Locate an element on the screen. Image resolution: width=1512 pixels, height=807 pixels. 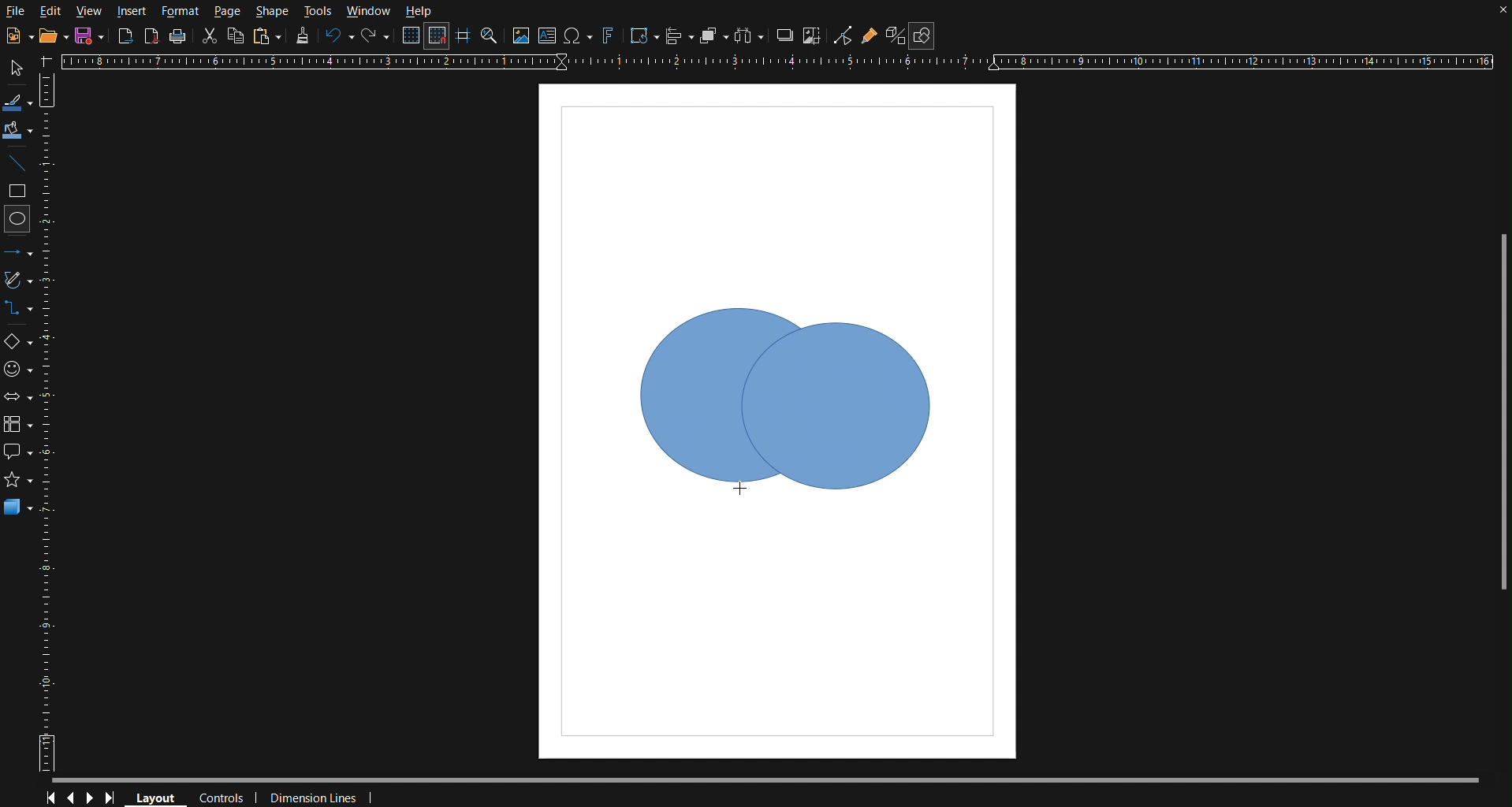
Square is located at coordinates (19, 192).